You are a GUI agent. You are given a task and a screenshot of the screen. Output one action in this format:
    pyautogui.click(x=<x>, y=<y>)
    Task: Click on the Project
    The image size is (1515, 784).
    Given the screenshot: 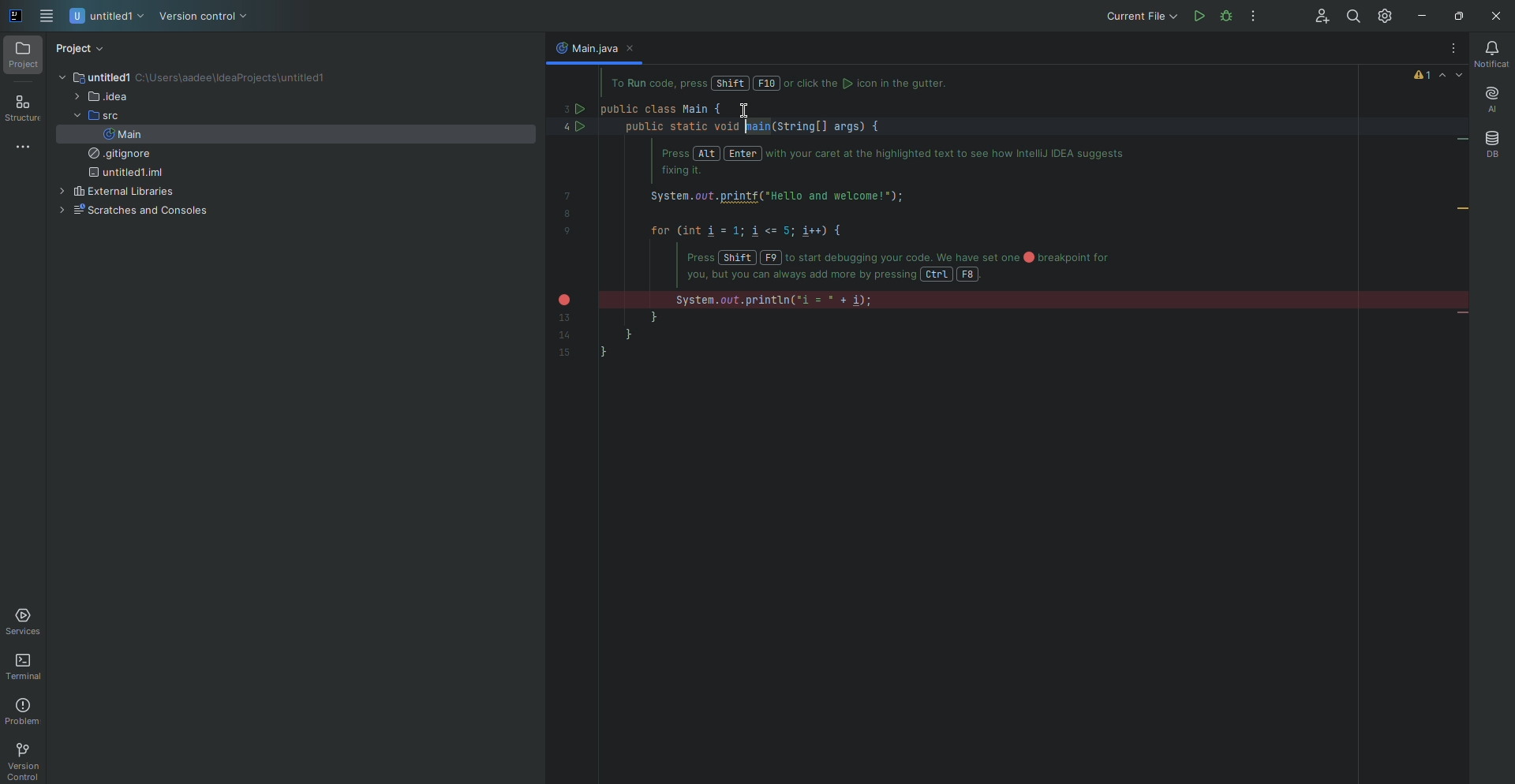 What is the action you would take?
    pyautogui.click(x=24, y=56)
    